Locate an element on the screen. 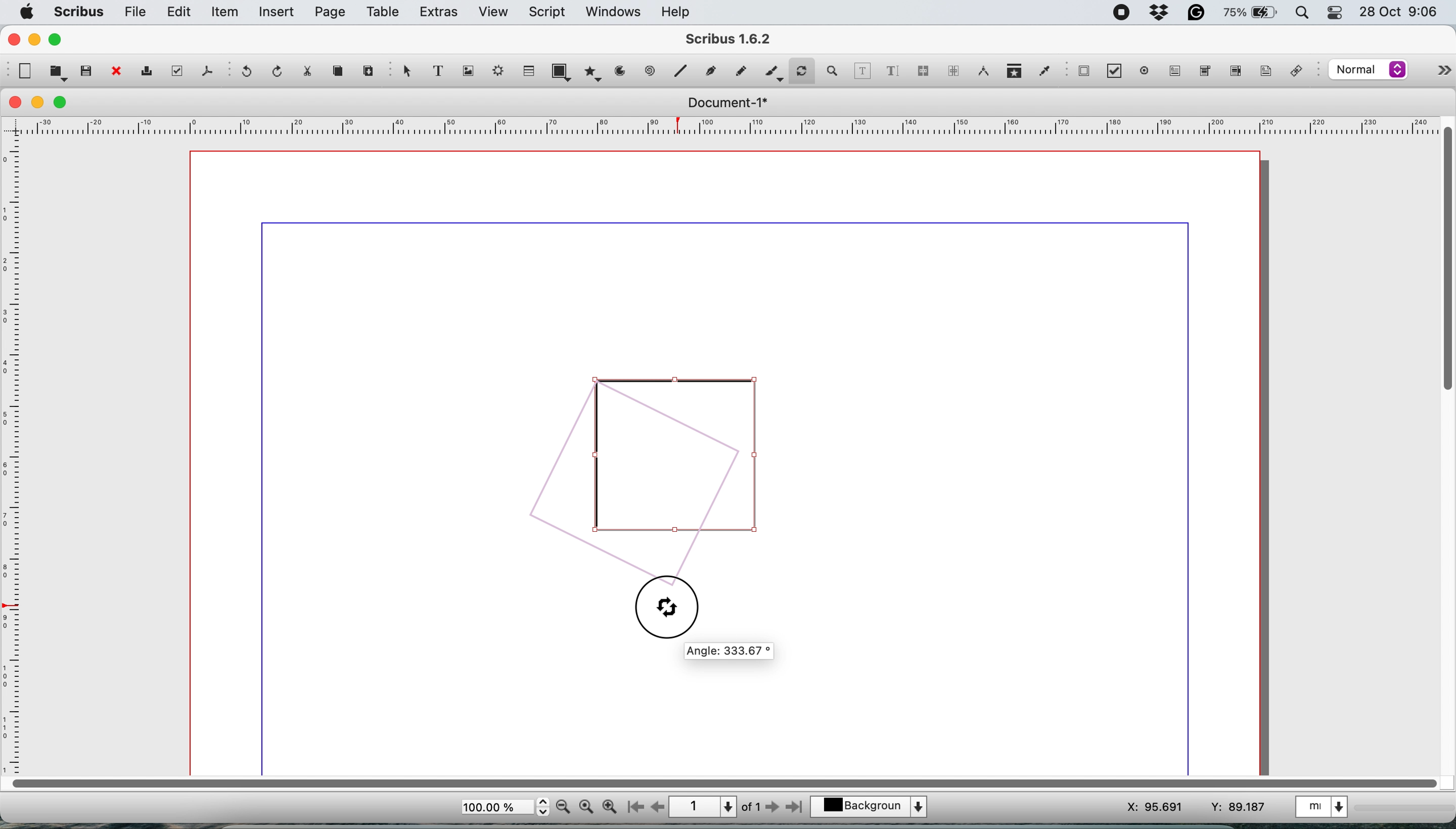 The height and width of the screenshot is (829, 1456). go to last page is located at coordinates (797, 809).